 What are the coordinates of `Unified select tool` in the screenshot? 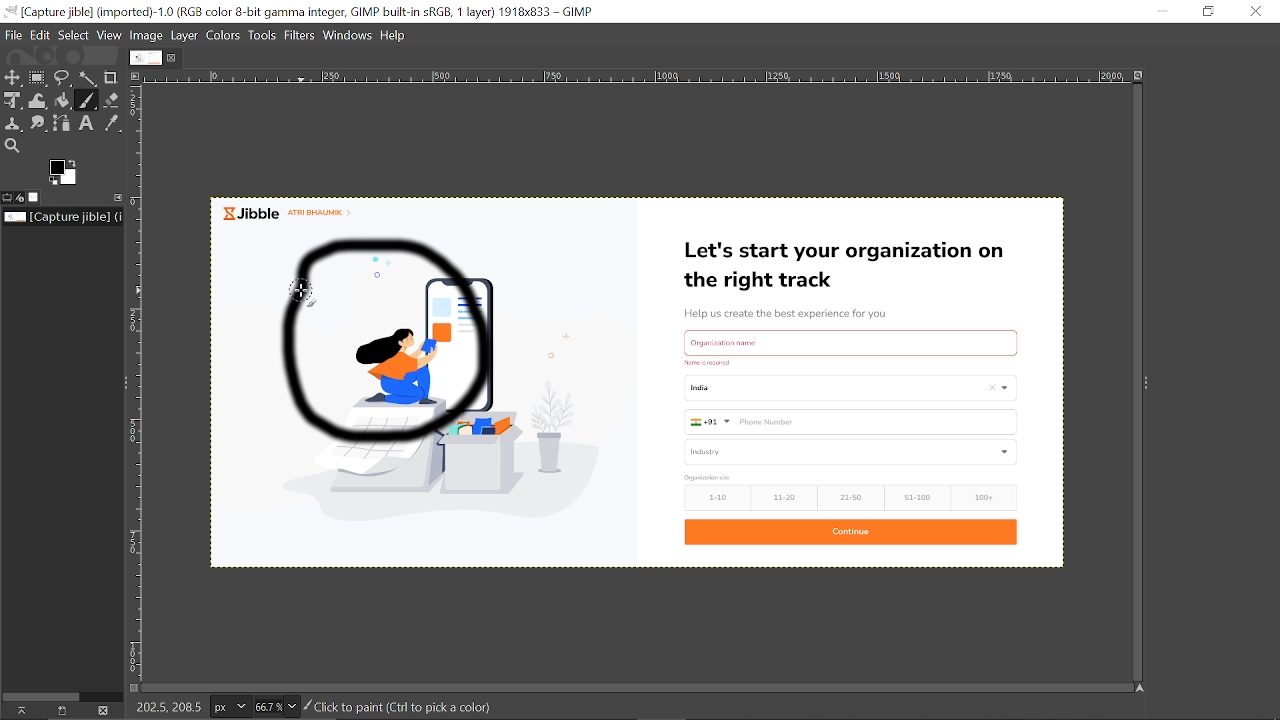 It's located at (13, 101).